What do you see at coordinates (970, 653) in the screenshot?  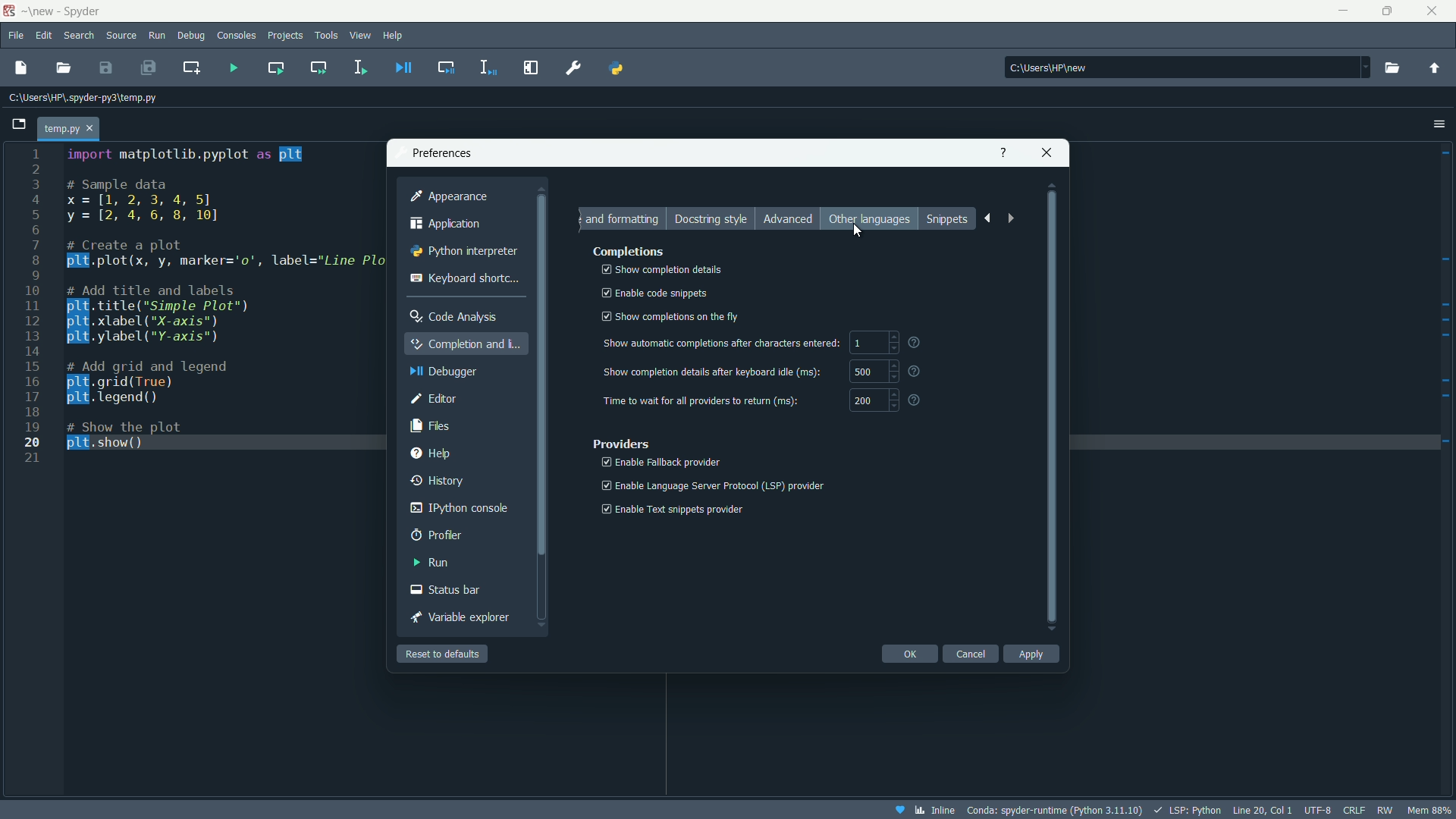 I see `cancel` at bounding box center [970, 653].